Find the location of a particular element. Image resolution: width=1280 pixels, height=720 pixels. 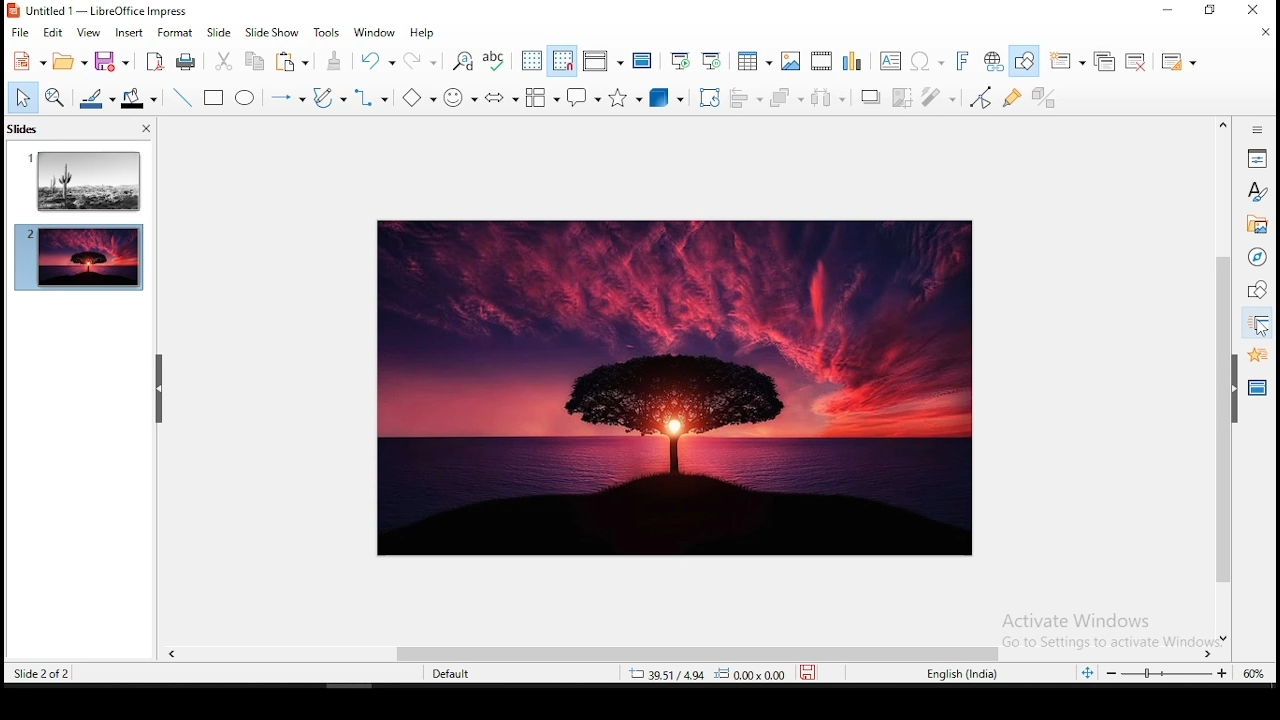

toggle extrusiuon is located at coordinates (1043, 96).